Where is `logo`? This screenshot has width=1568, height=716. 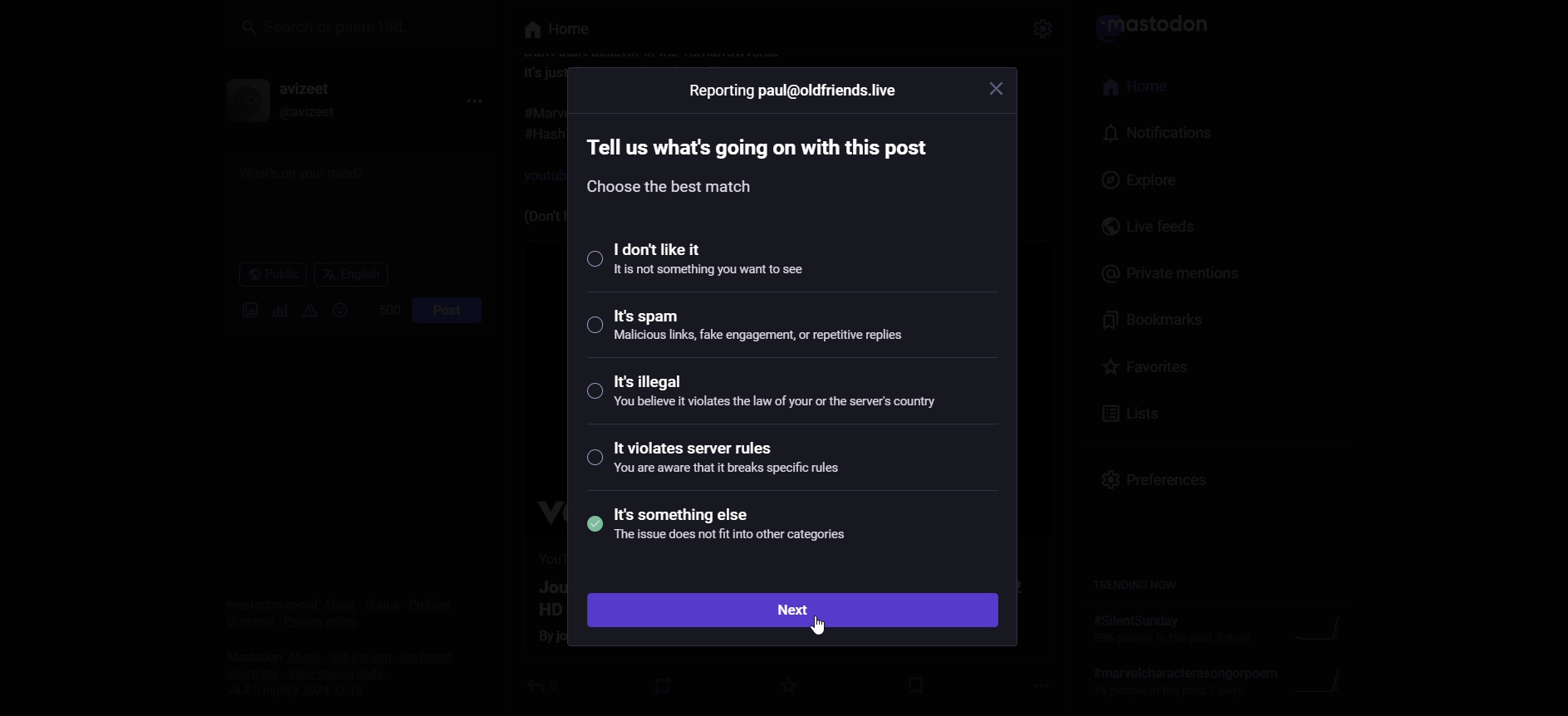
logo is located at coordinates (1147, 28).